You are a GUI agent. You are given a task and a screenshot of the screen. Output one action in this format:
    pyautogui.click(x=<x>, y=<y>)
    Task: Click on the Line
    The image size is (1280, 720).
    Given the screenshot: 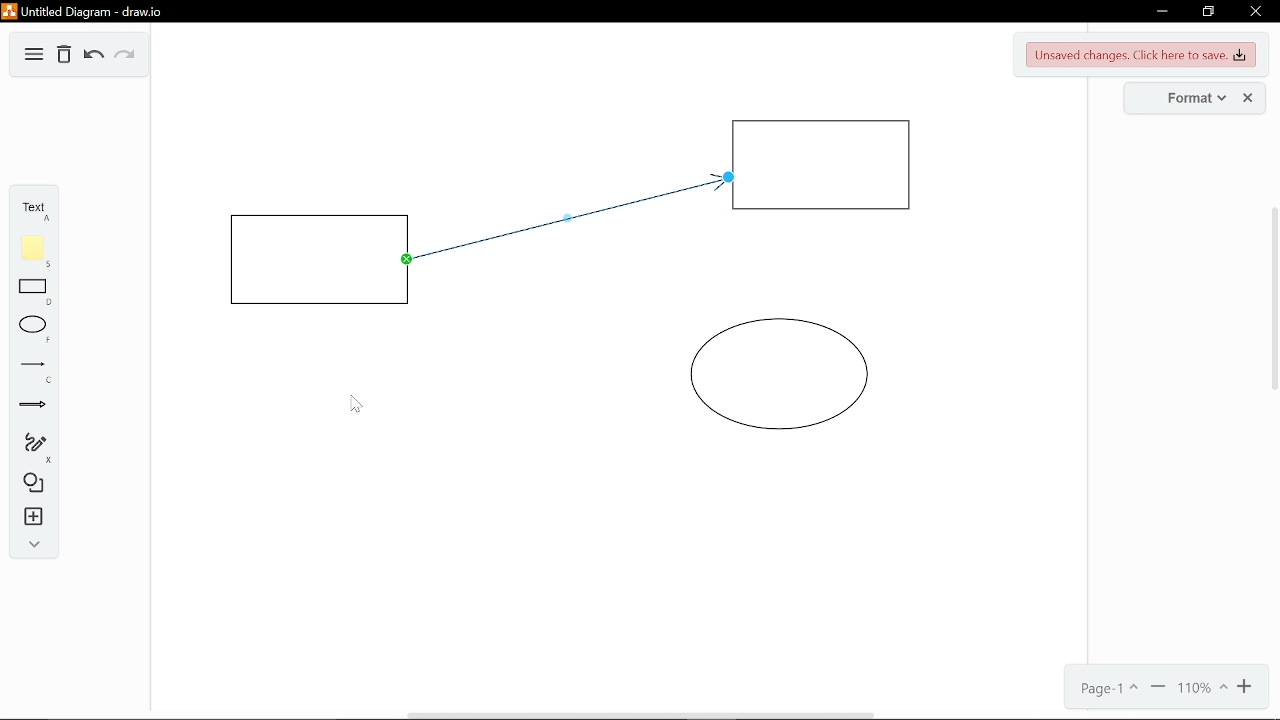 What is the action you would take?
    pyautogui.click(x=34, y=371)
    